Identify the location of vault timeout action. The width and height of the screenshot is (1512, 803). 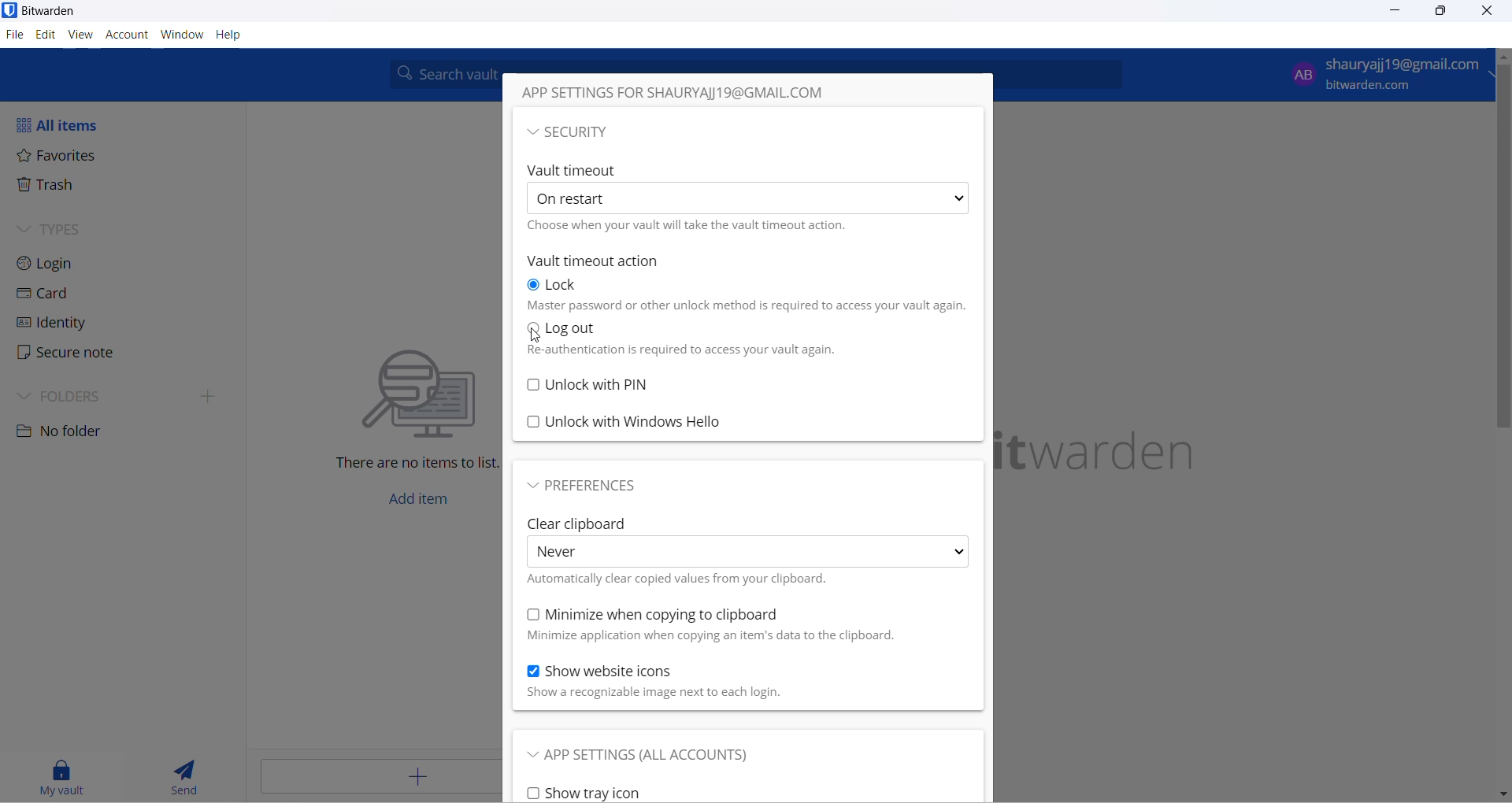
(606, 259).